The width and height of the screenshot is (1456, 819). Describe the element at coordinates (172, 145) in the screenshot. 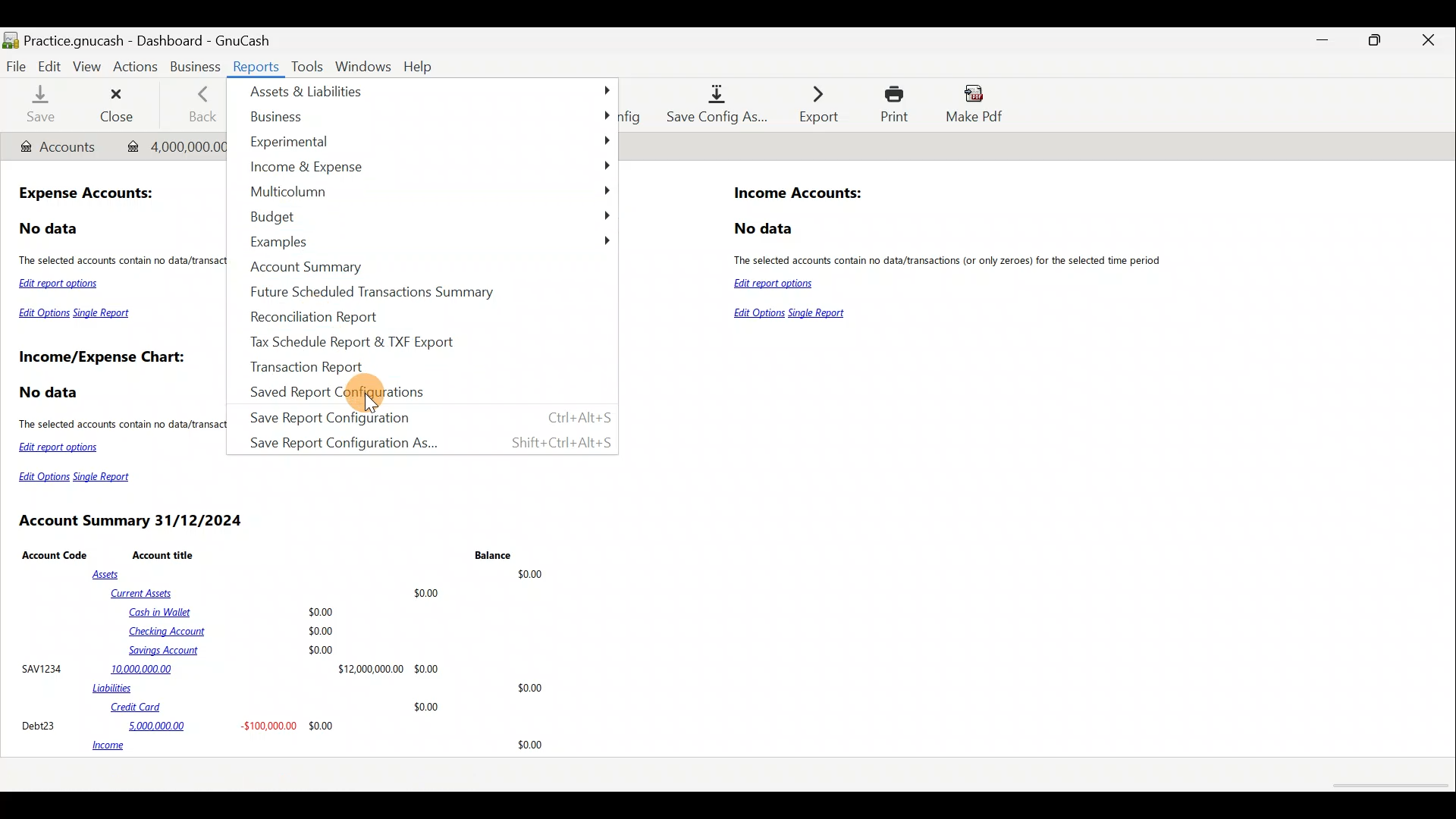

I see `Transaction` at that location.